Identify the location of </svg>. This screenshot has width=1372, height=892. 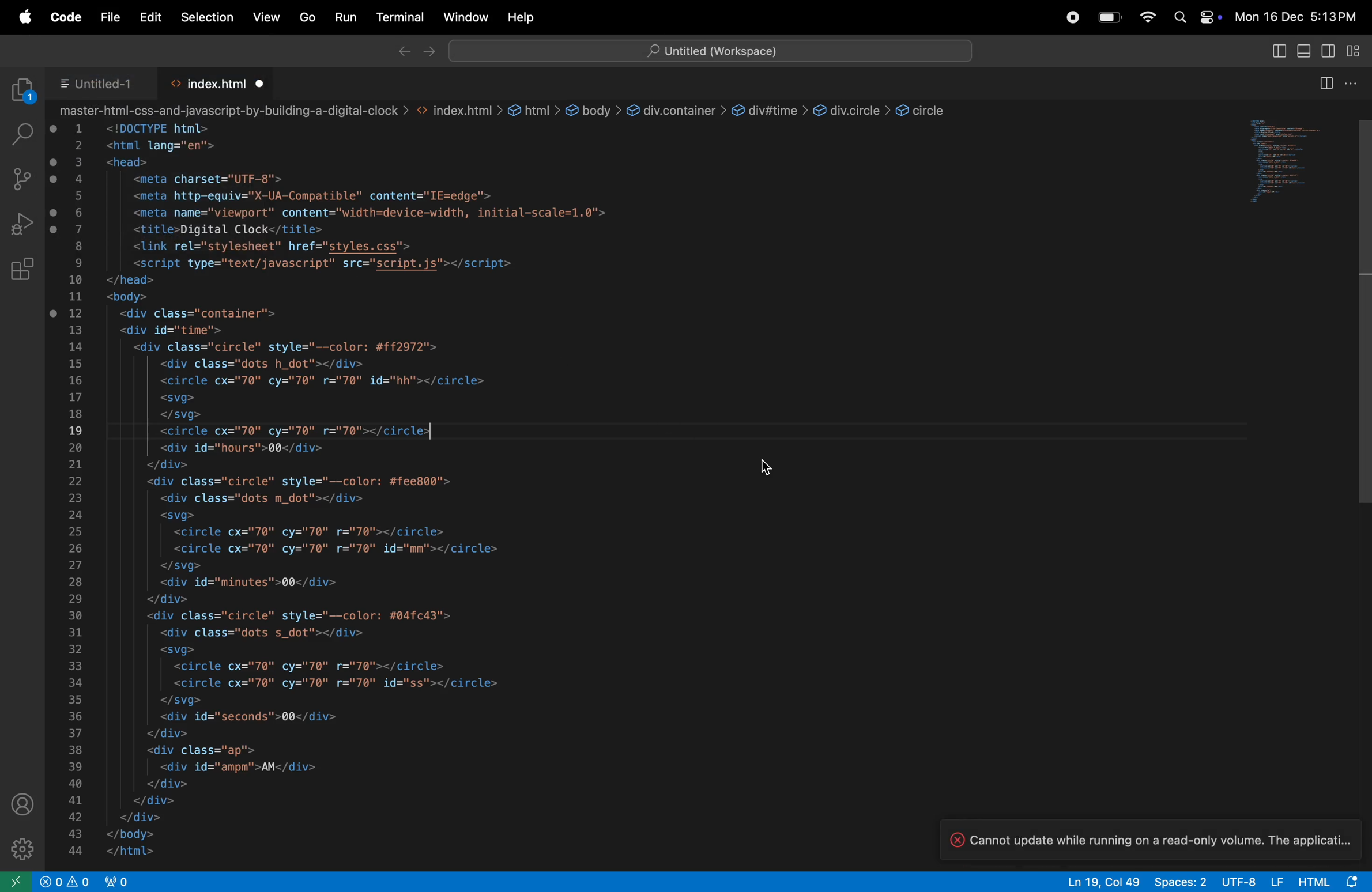
(183, 566).